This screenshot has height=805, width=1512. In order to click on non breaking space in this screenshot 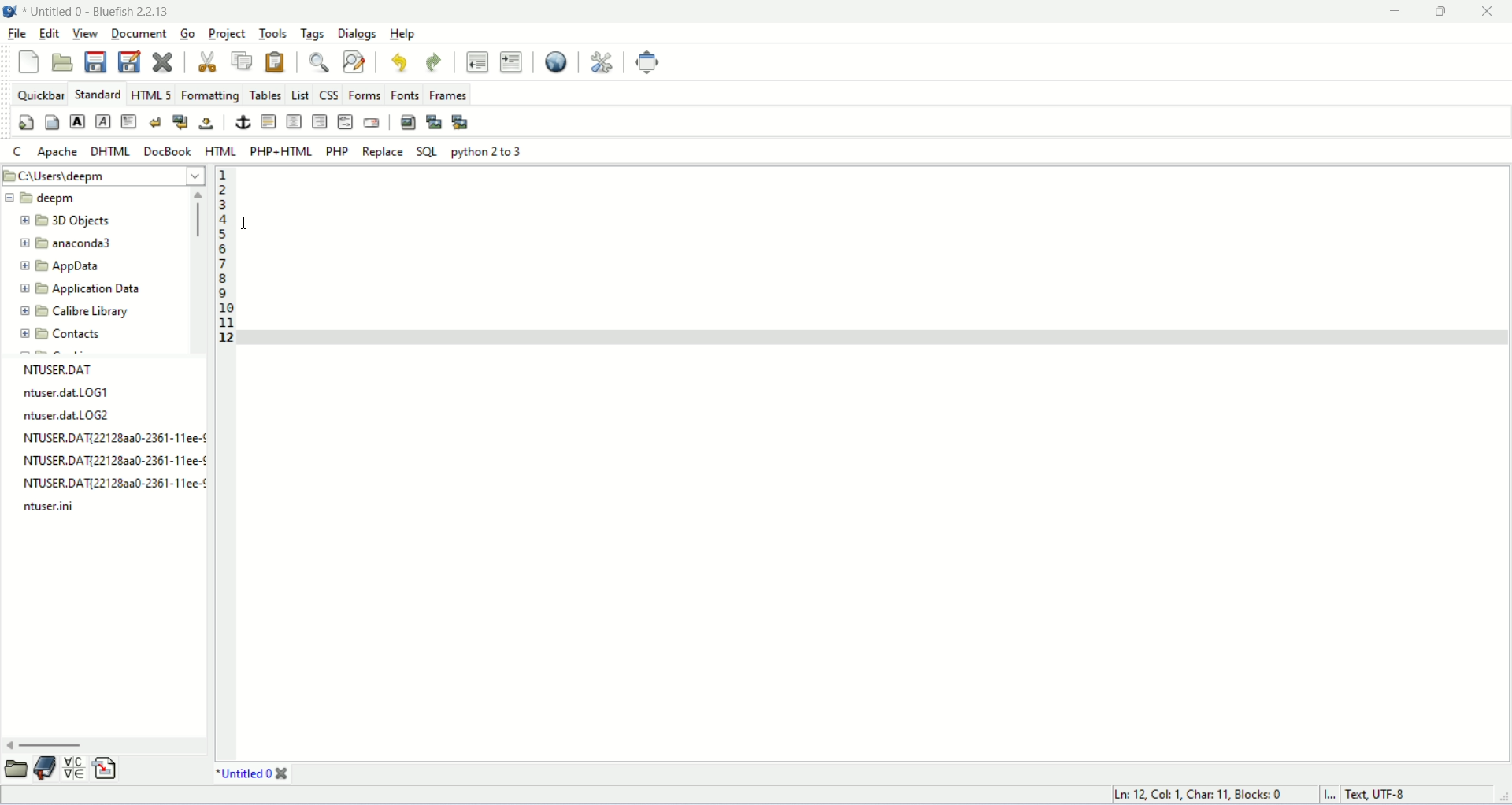, I will do `click(209, 123)`.